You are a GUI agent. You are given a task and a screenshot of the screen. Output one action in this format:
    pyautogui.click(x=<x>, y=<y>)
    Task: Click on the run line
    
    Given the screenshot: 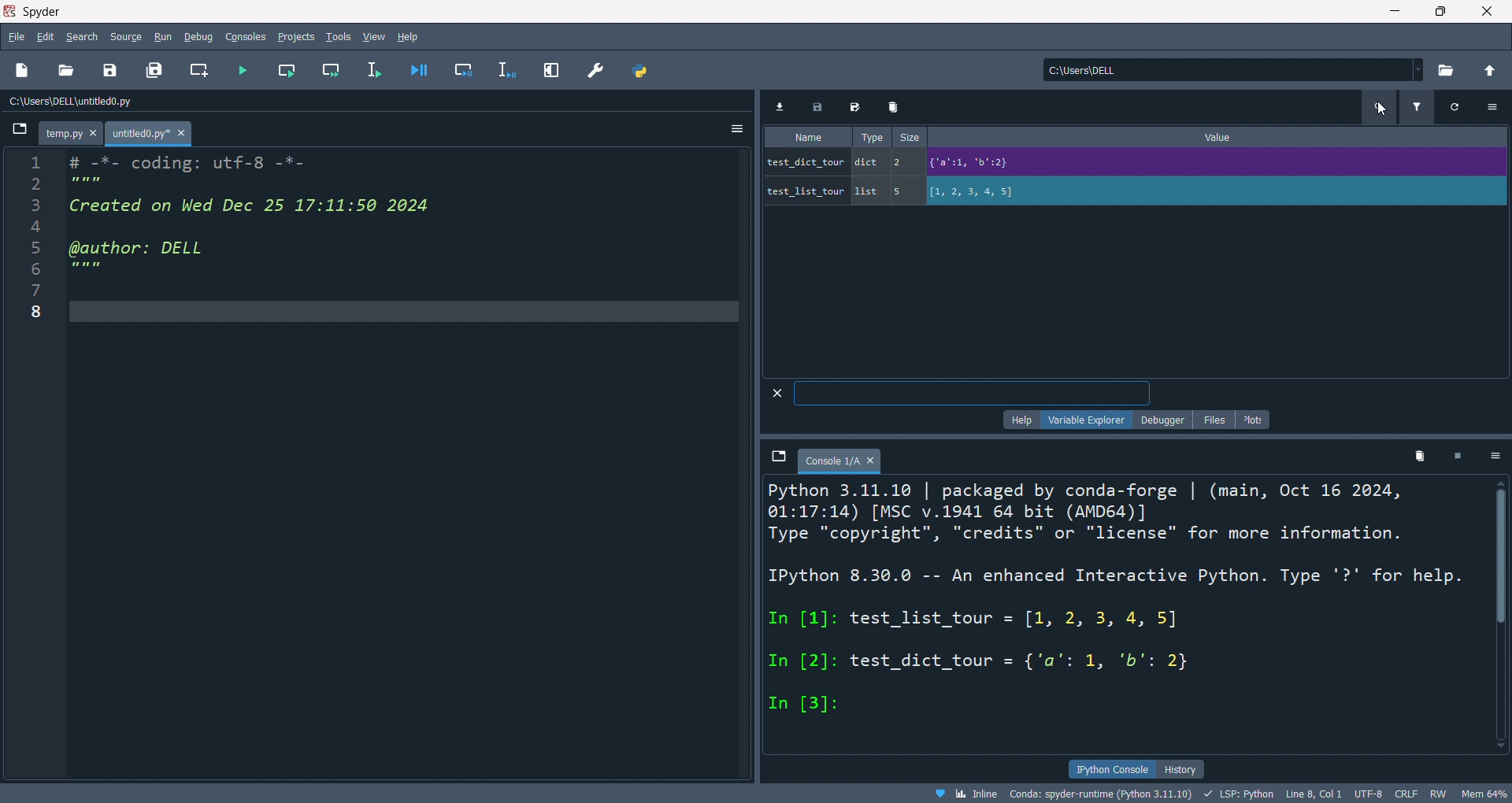 What is the action you would take?
    pyautogui.click(x=371, y=68)
    